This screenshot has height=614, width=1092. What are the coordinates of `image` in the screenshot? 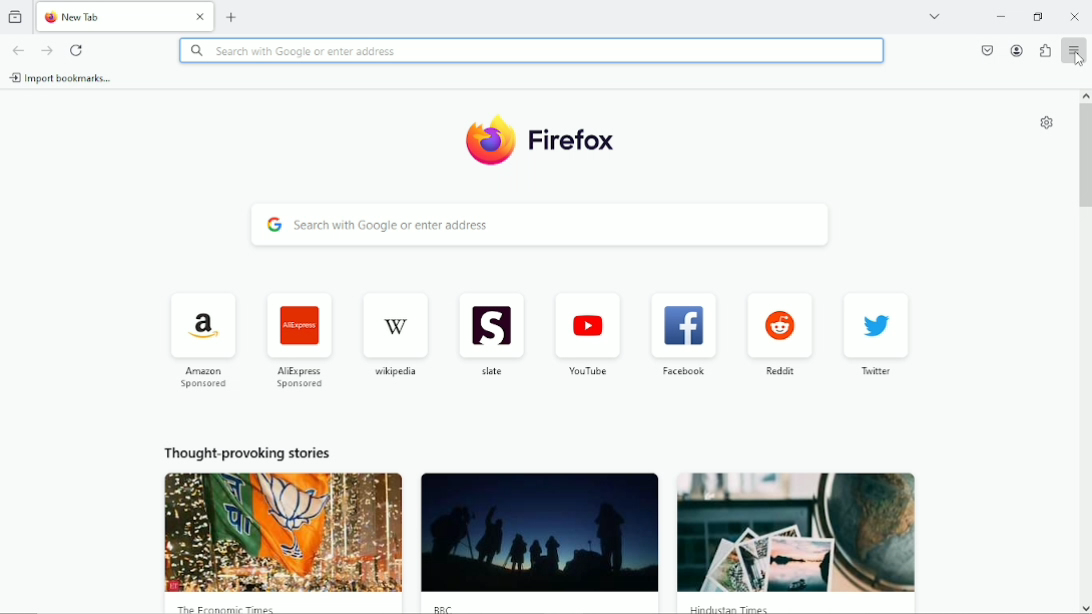 It's located at (793, 530).